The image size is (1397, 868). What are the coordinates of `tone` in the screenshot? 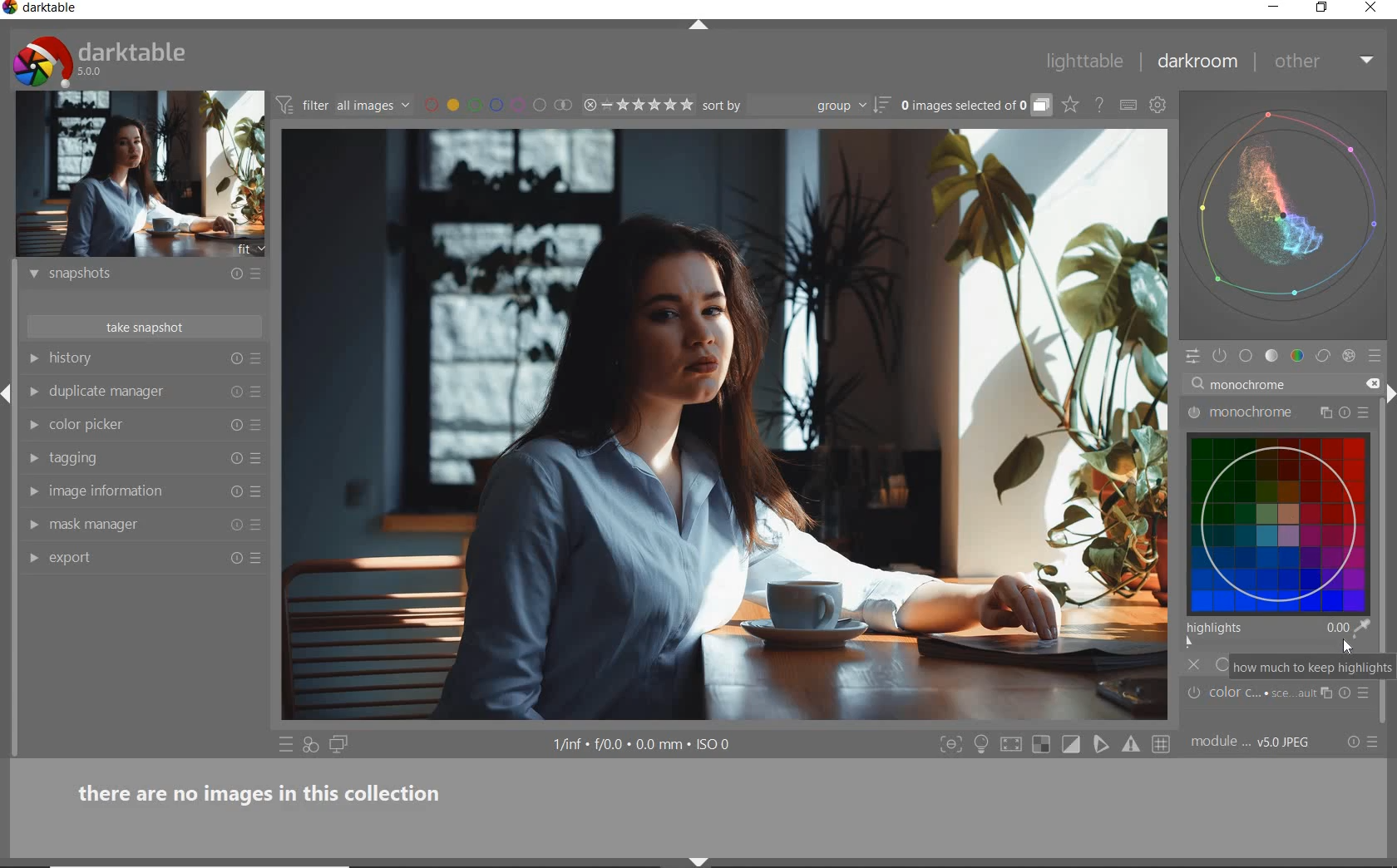 It's located at (1272, 358).